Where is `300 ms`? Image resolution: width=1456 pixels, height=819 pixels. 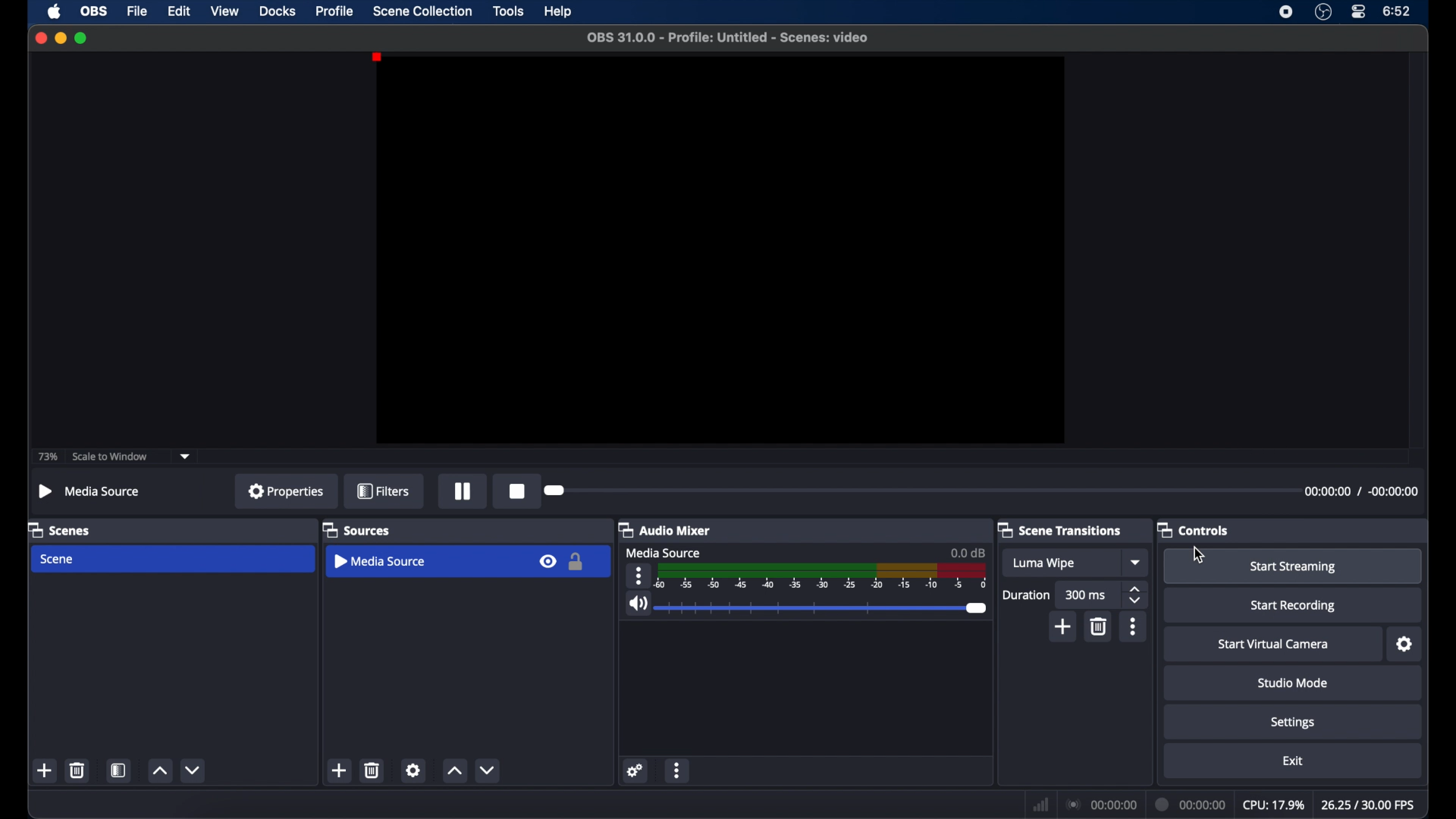
300 ms is located at coordinates (1086, 594).